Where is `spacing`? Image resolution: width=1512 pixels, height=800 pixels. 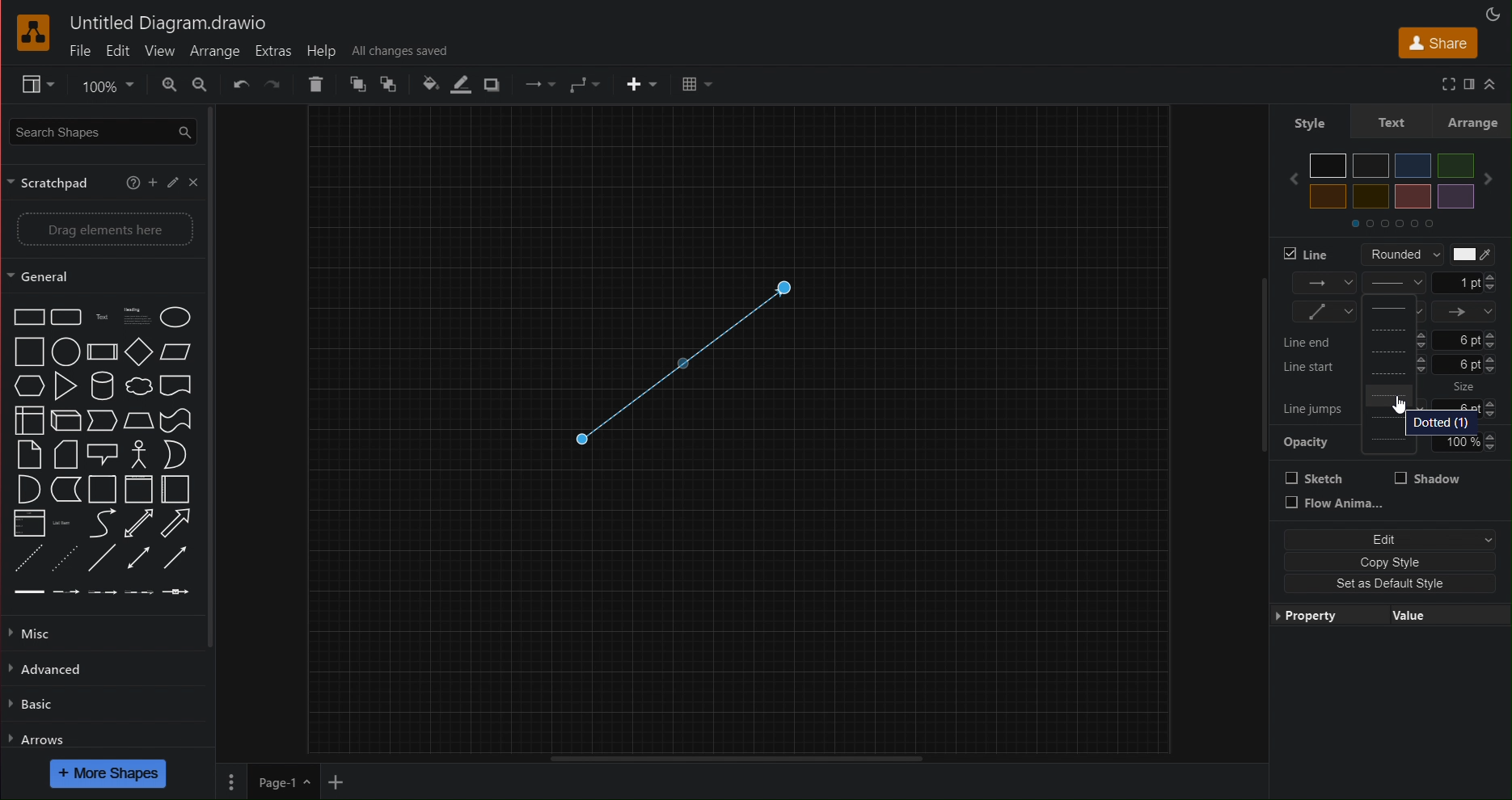 spacing is located at coordinates (1392, 397).